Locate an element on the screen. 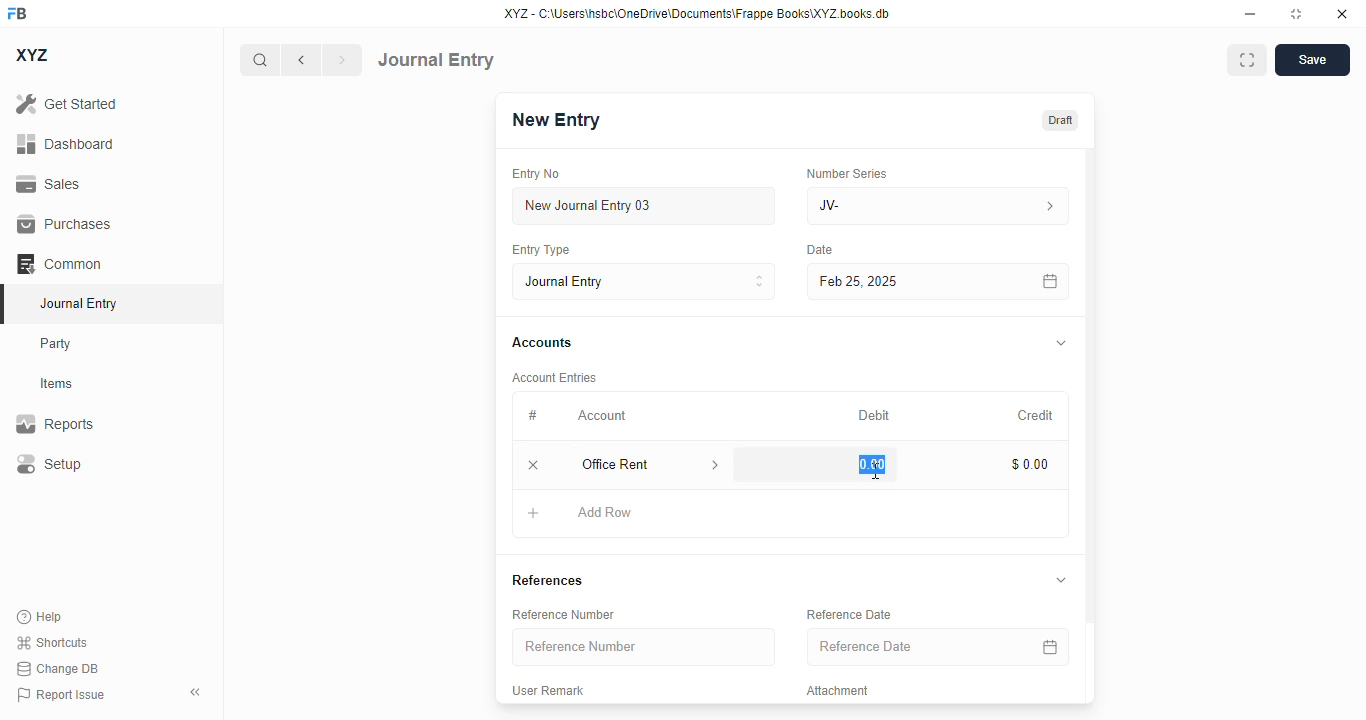  remove is located at coordinates (533, 464).